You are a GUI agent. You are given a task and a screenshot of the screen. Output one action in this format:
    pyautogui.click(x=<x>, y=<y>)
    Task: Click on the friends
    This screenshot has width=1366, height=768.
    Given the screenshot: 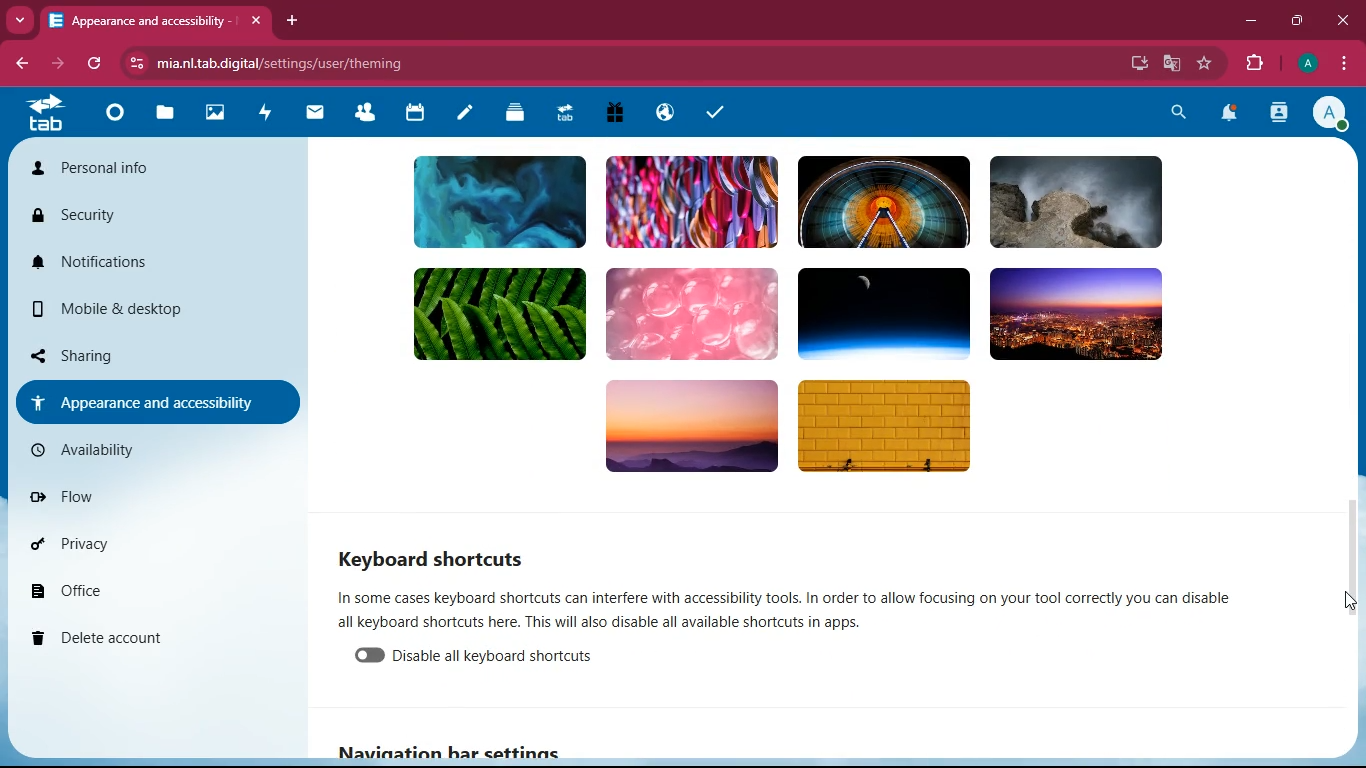 What is the action you would take?
    pyautogui.click(x=363, y=116)
    